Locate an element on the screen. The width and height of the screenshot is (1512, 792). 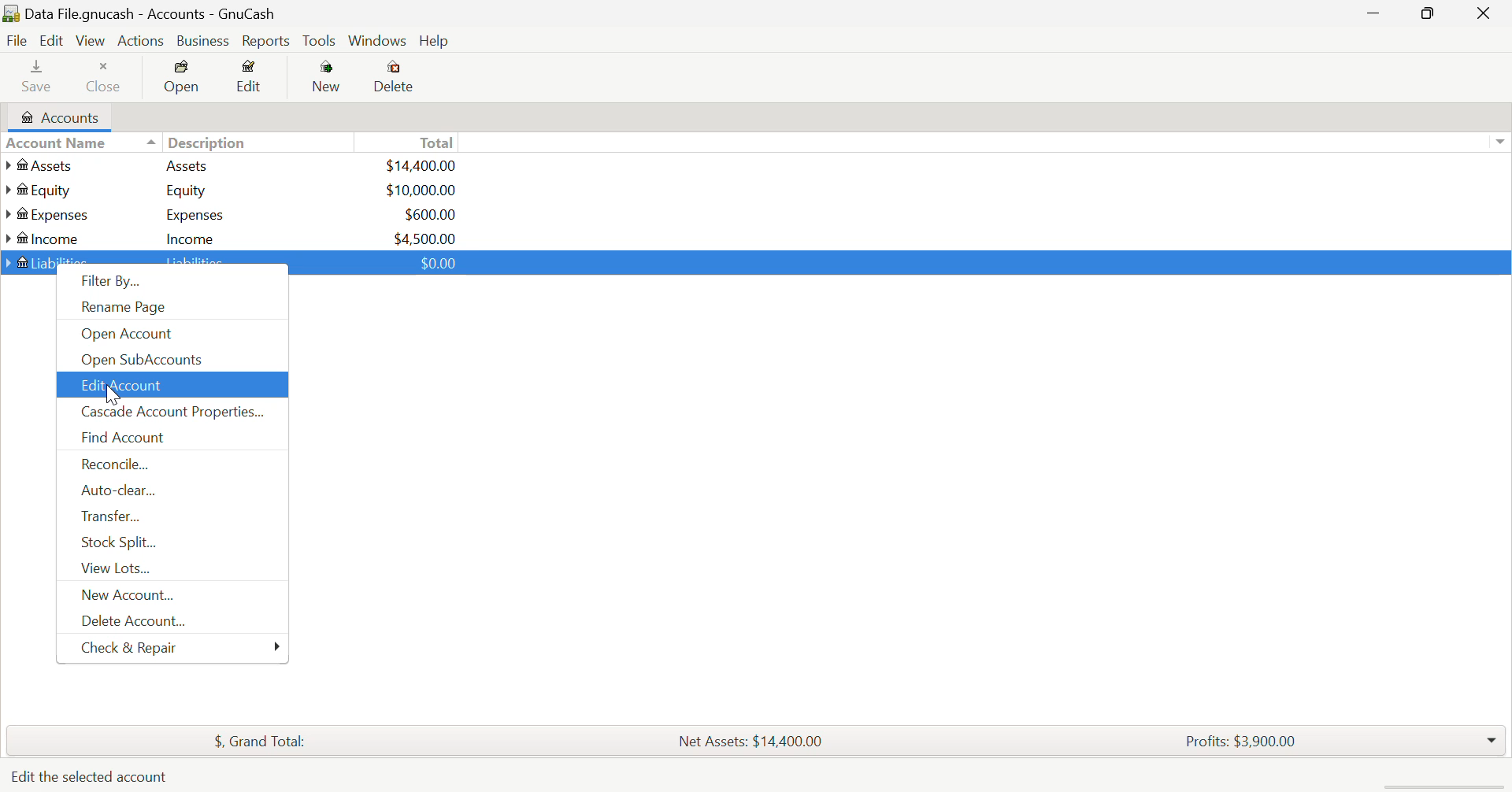
Restore Down is located at coordinates (1374, 15).